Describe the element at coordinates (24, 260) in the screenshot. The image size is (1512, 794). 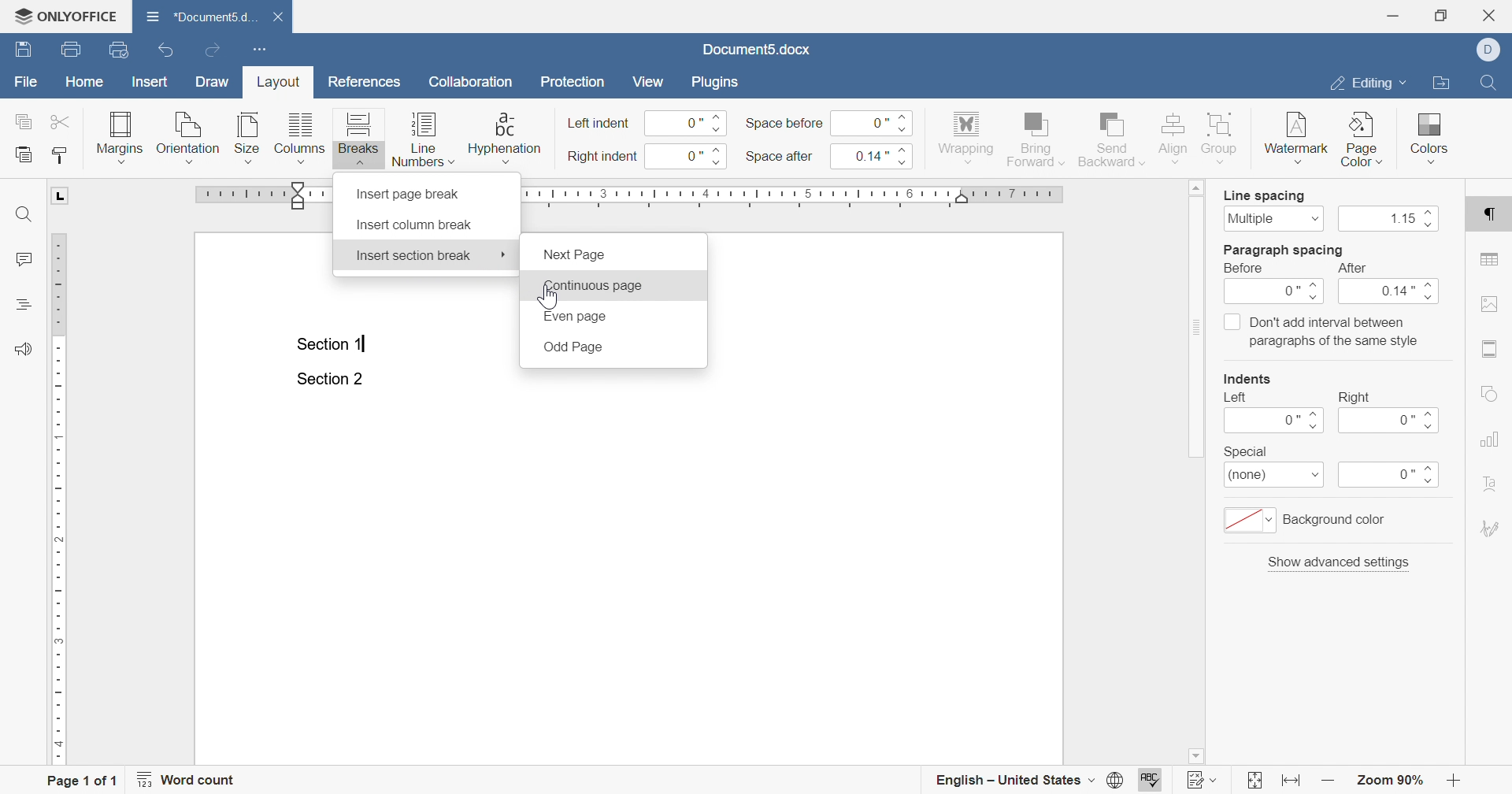
I see `comments` at that location.